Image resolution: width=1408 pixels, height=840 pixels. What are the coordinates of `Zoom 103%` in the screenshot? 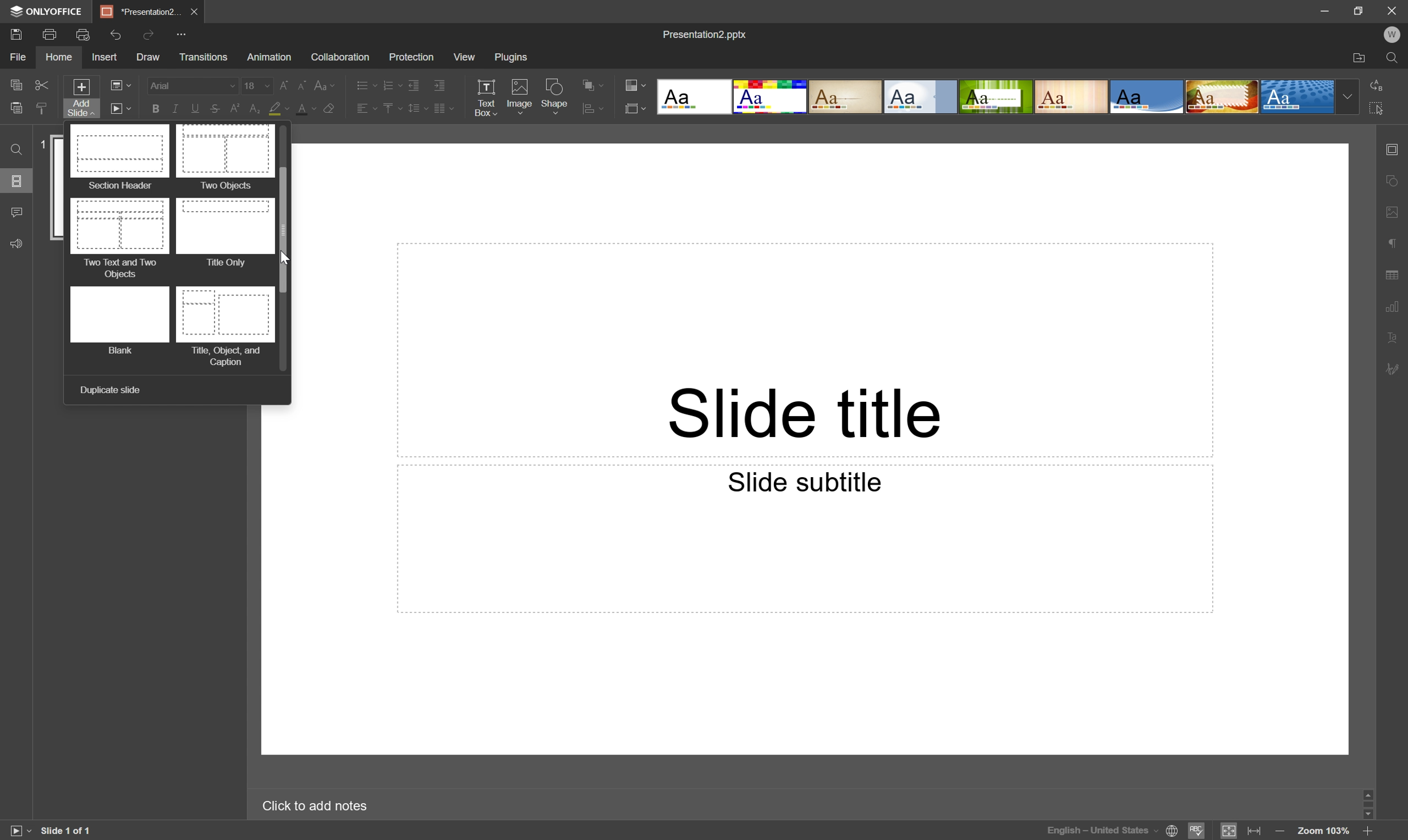 It's located at (1324, 832).